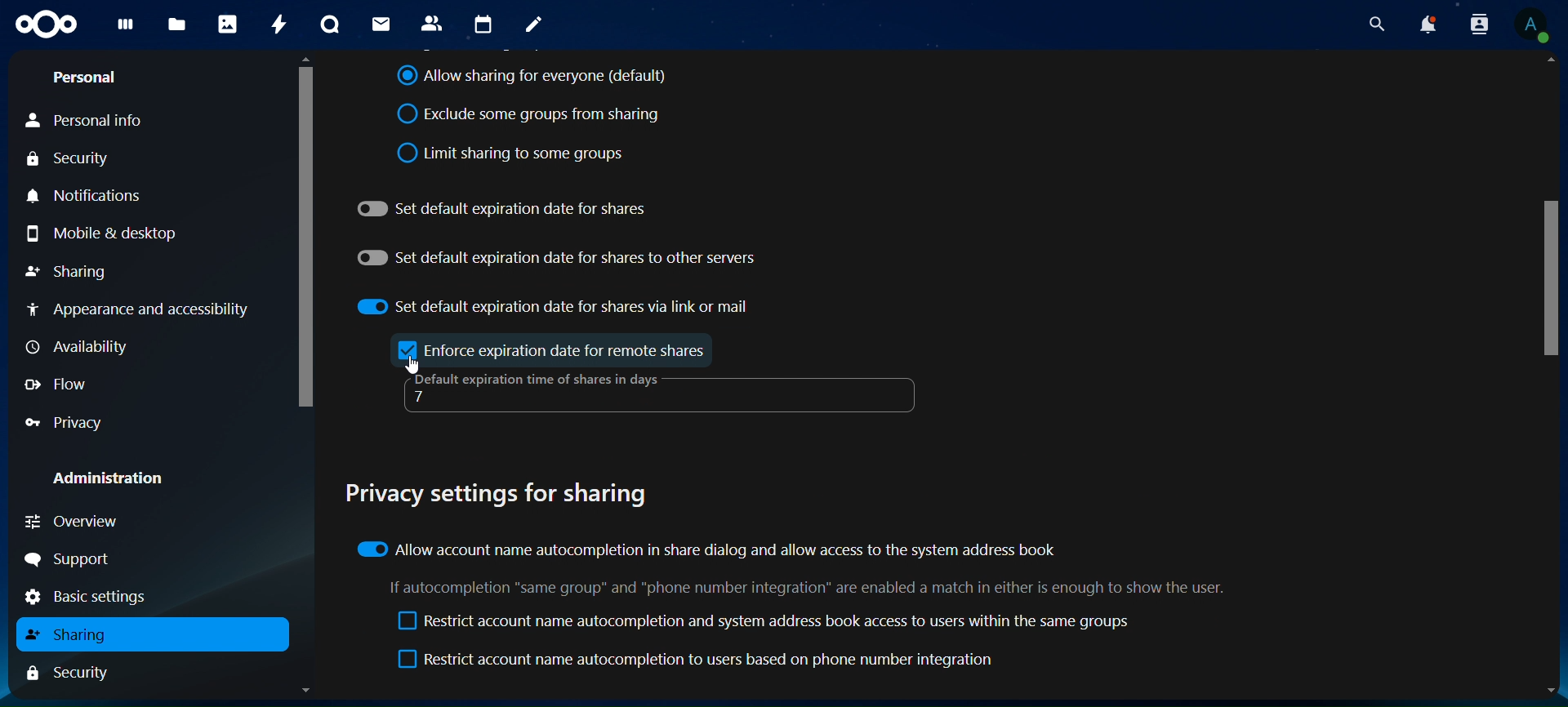 The height and width of the screenshot is (707, 1568). Describe the element at coordinates (72, 422) in the screenshot. I see `privacy` at that location.